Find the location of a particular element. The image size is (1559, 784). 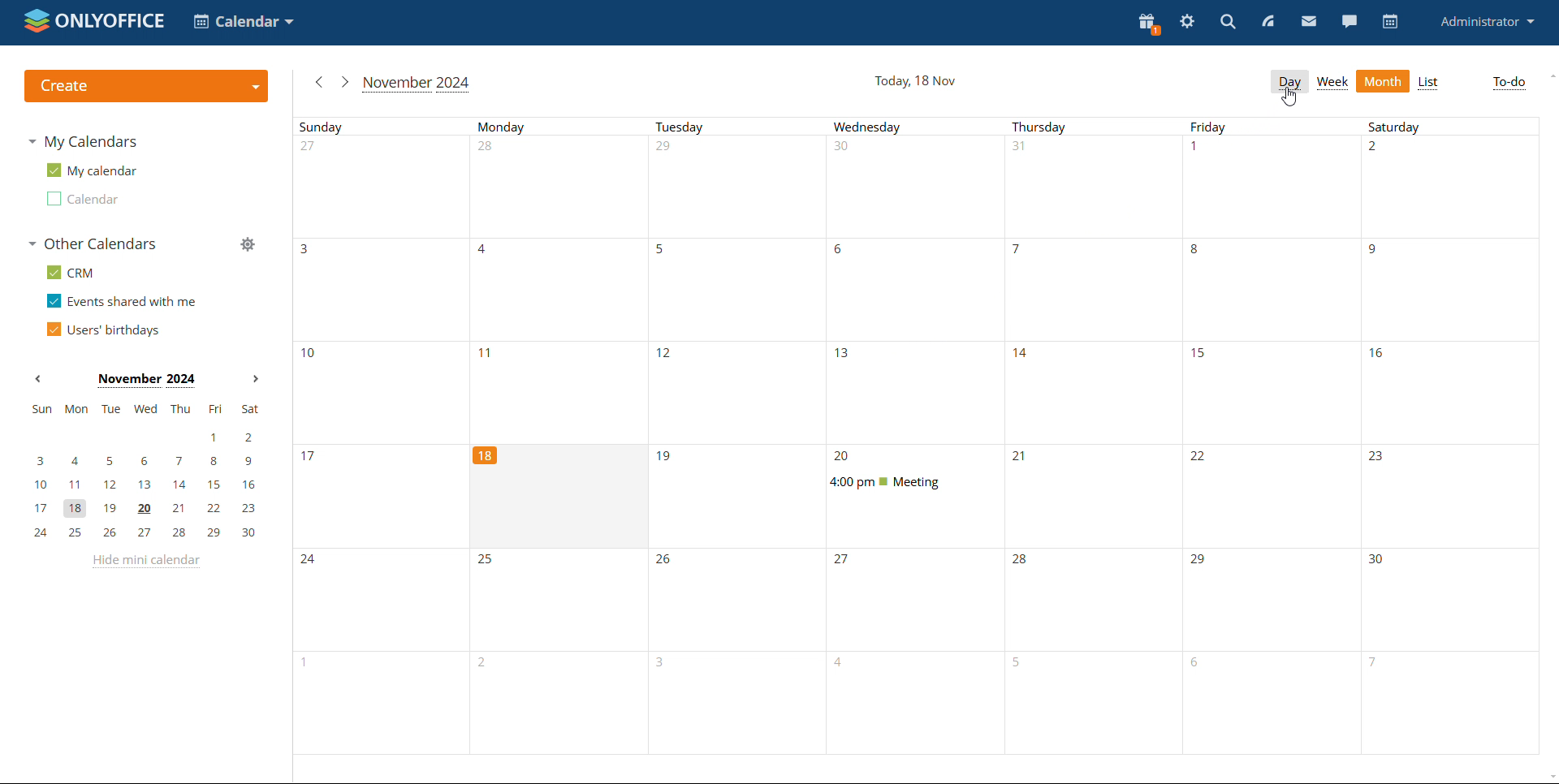

profile is located at coordinates (1487, 23).